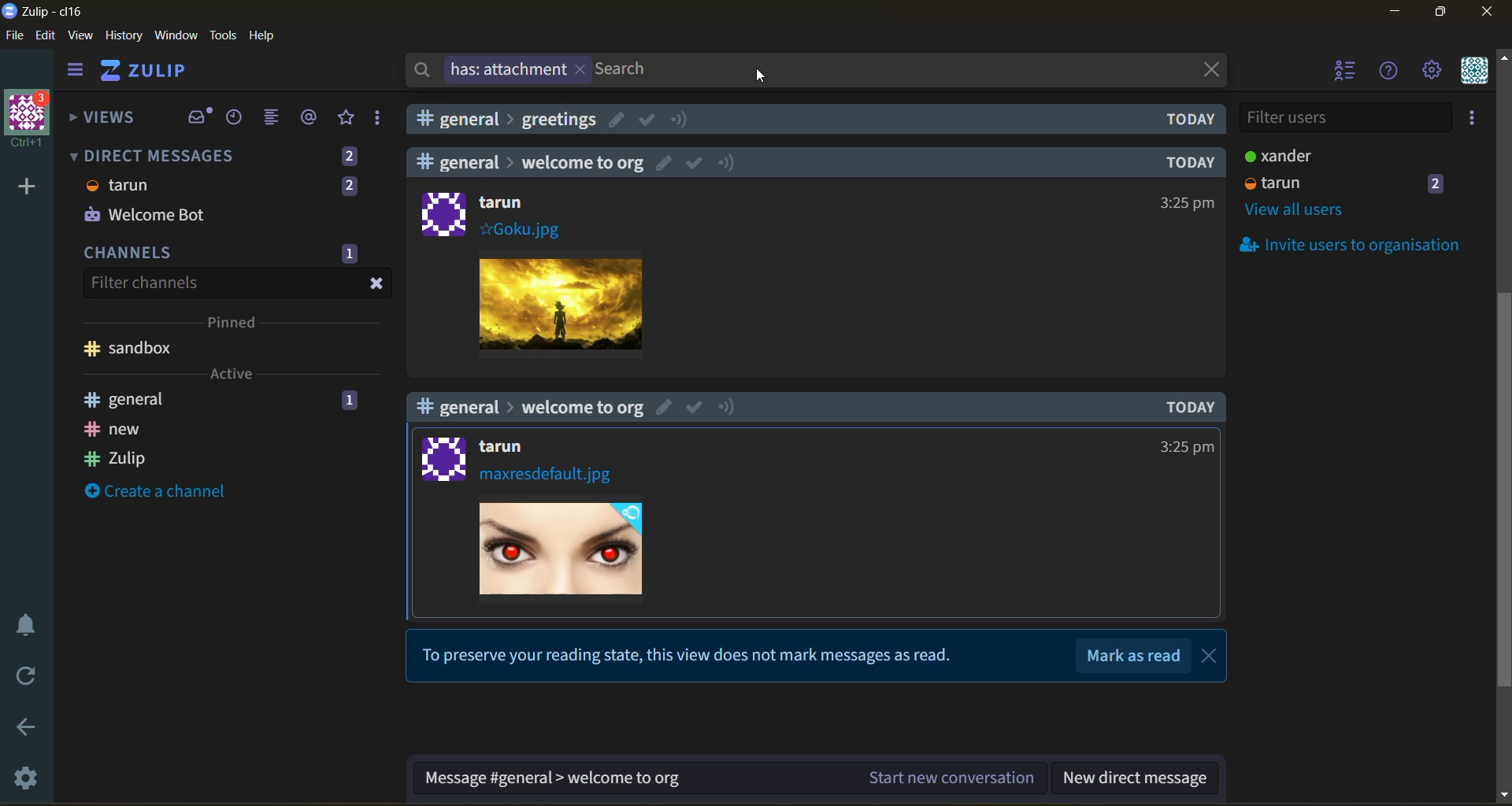 The height and width of the screenshot is (806, 1512). What do you see at coordinates (124, 35) in the screenshot?
I see `history` at bounding box center [124, 35].